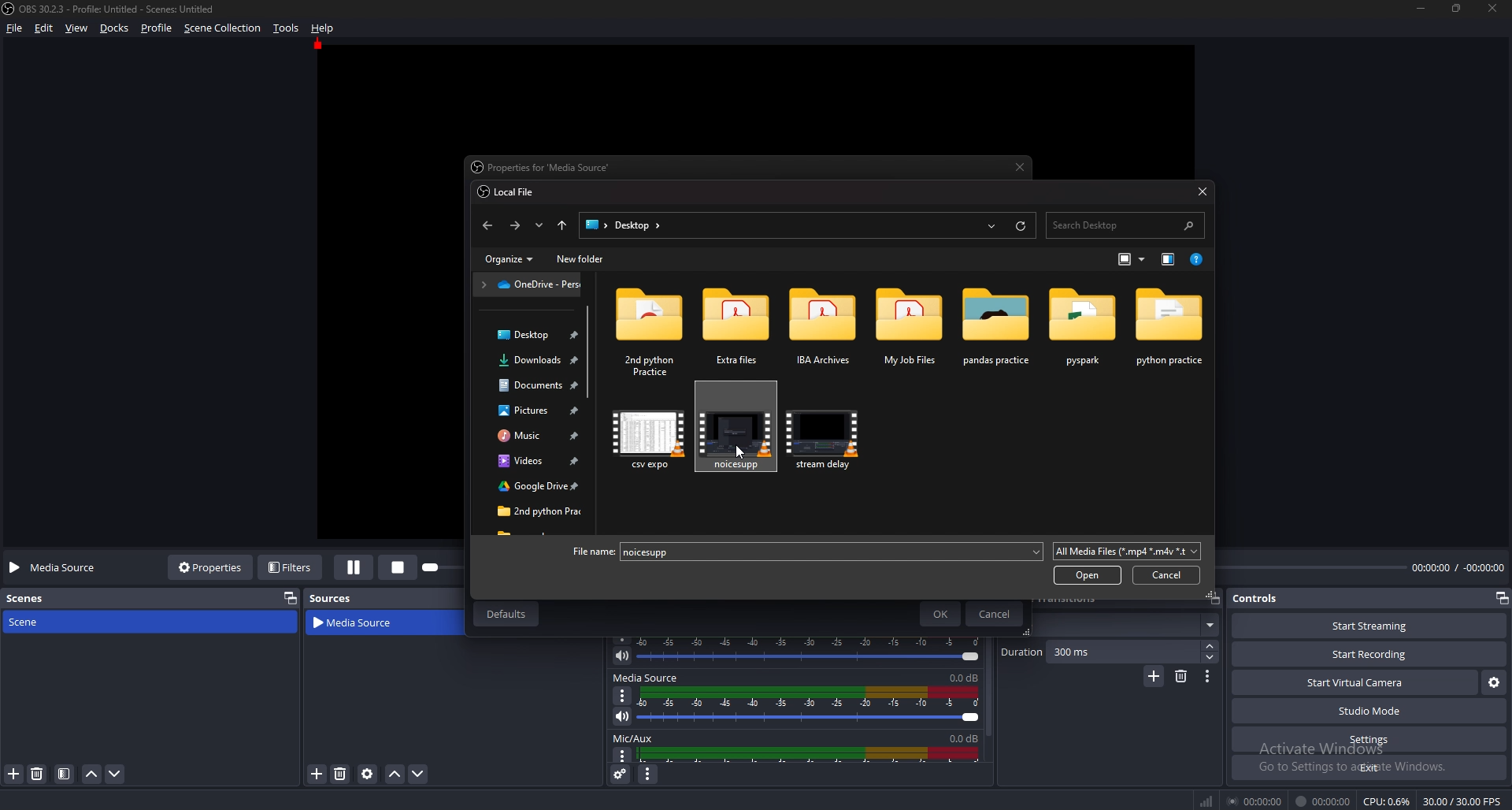  What do you see at coordinates (1202, 191) in the screenshot?
I see `Close` at bounding box center [1202, 191].